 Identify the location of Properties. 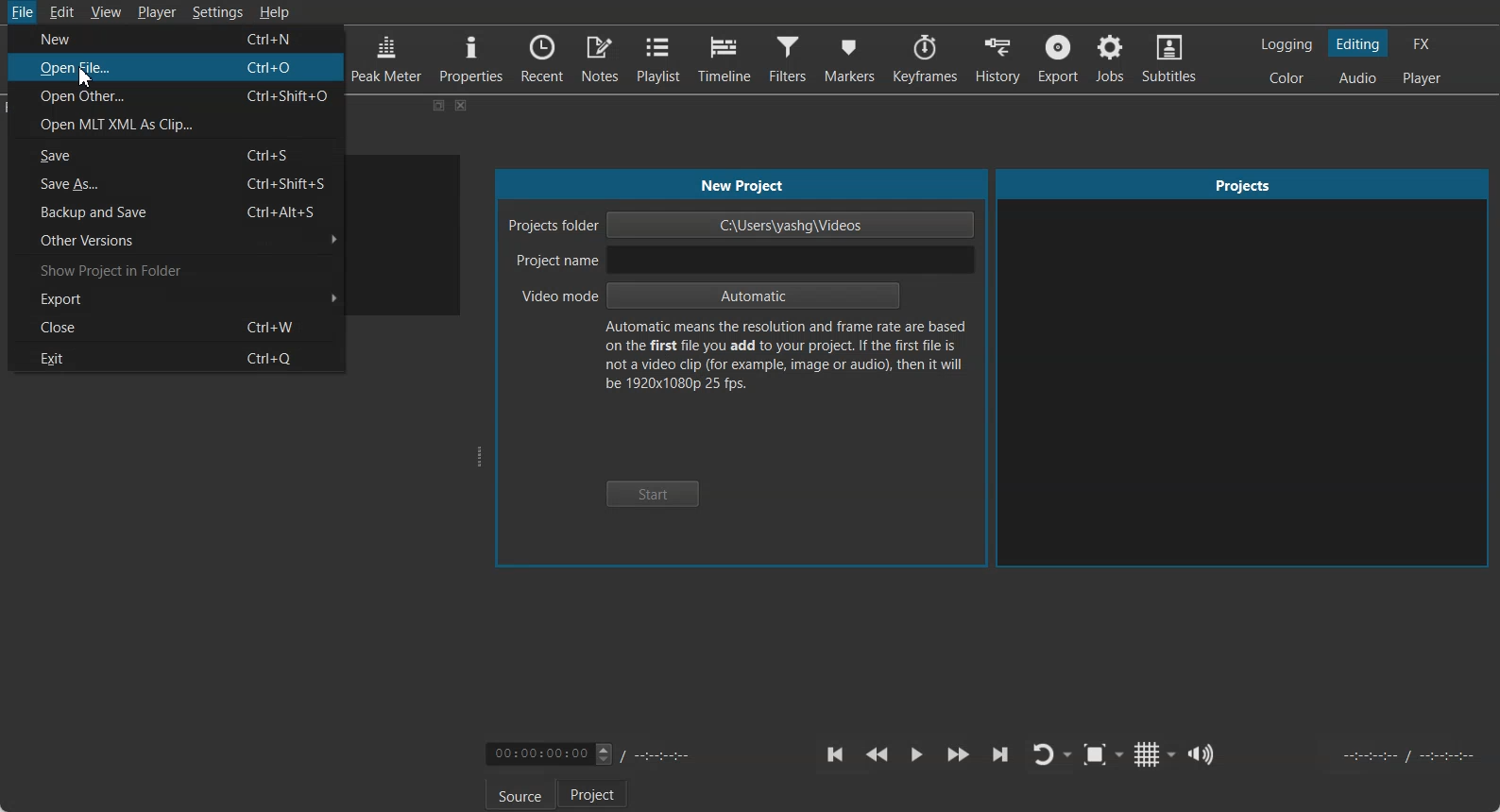
(471, 57).